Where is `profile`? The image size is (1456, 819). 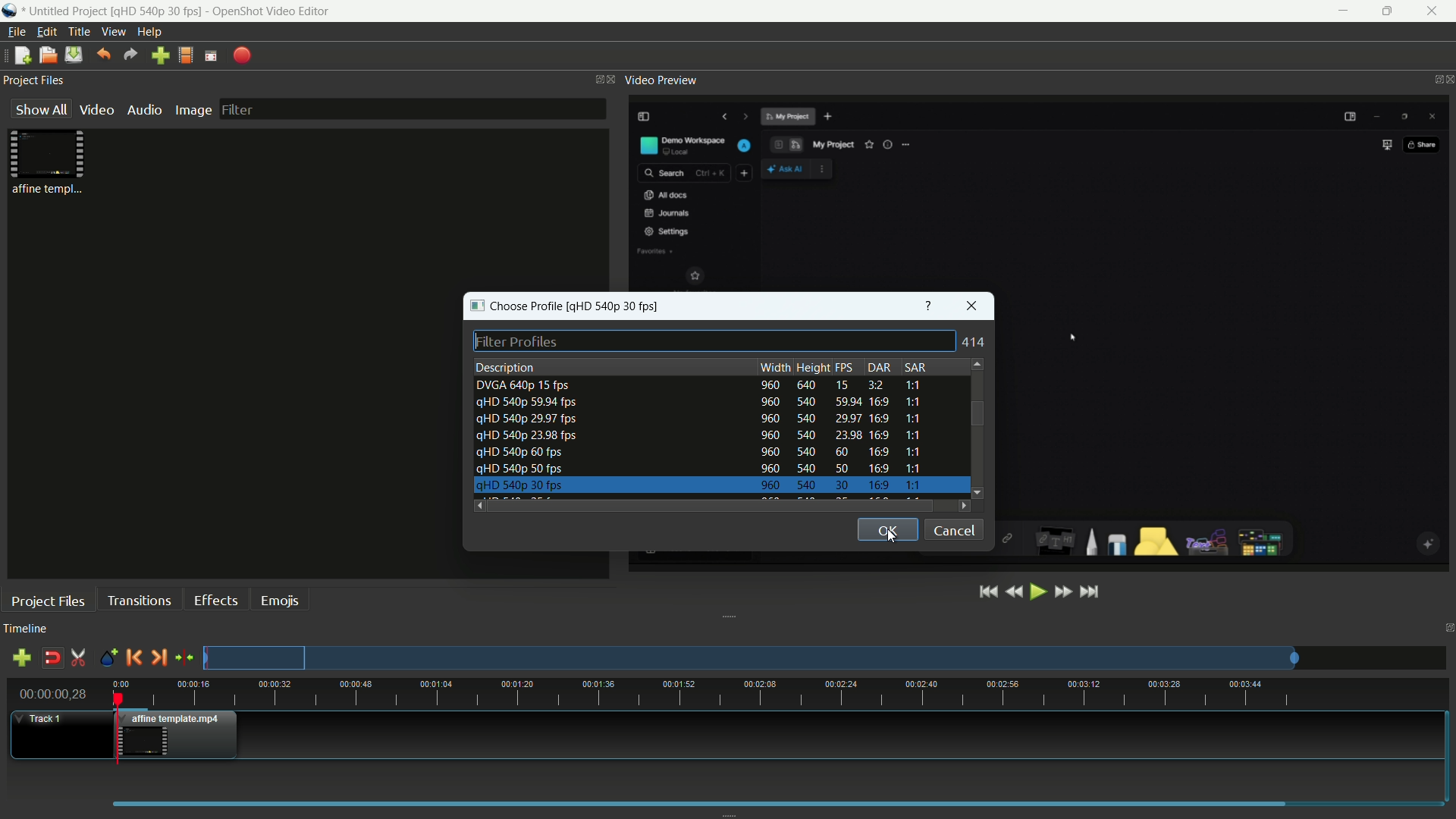
profile is located at coordinates (617, 306).